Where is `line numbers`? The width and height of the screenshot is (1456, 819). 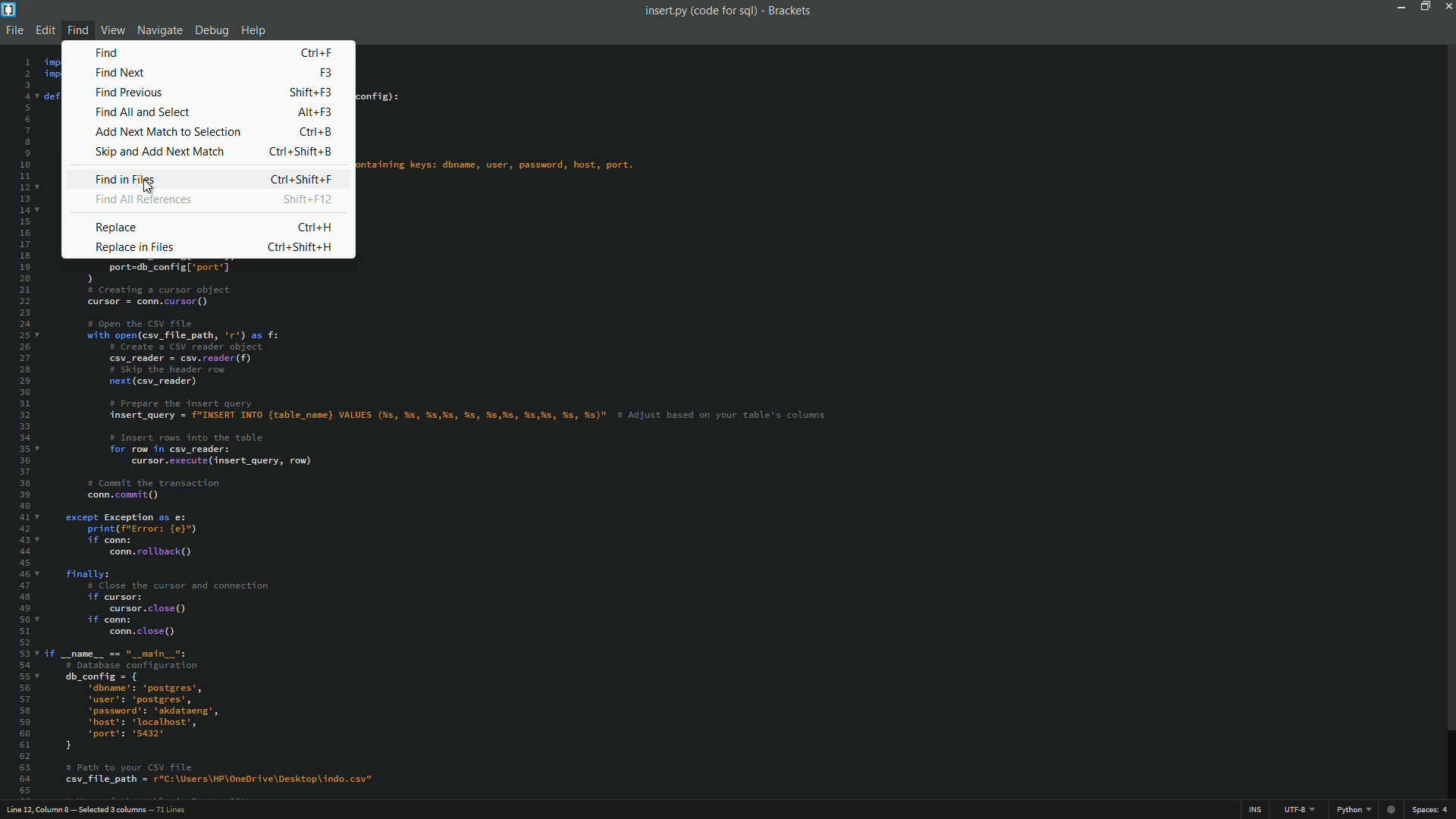
line numbers is located at coordinates (20, 425).